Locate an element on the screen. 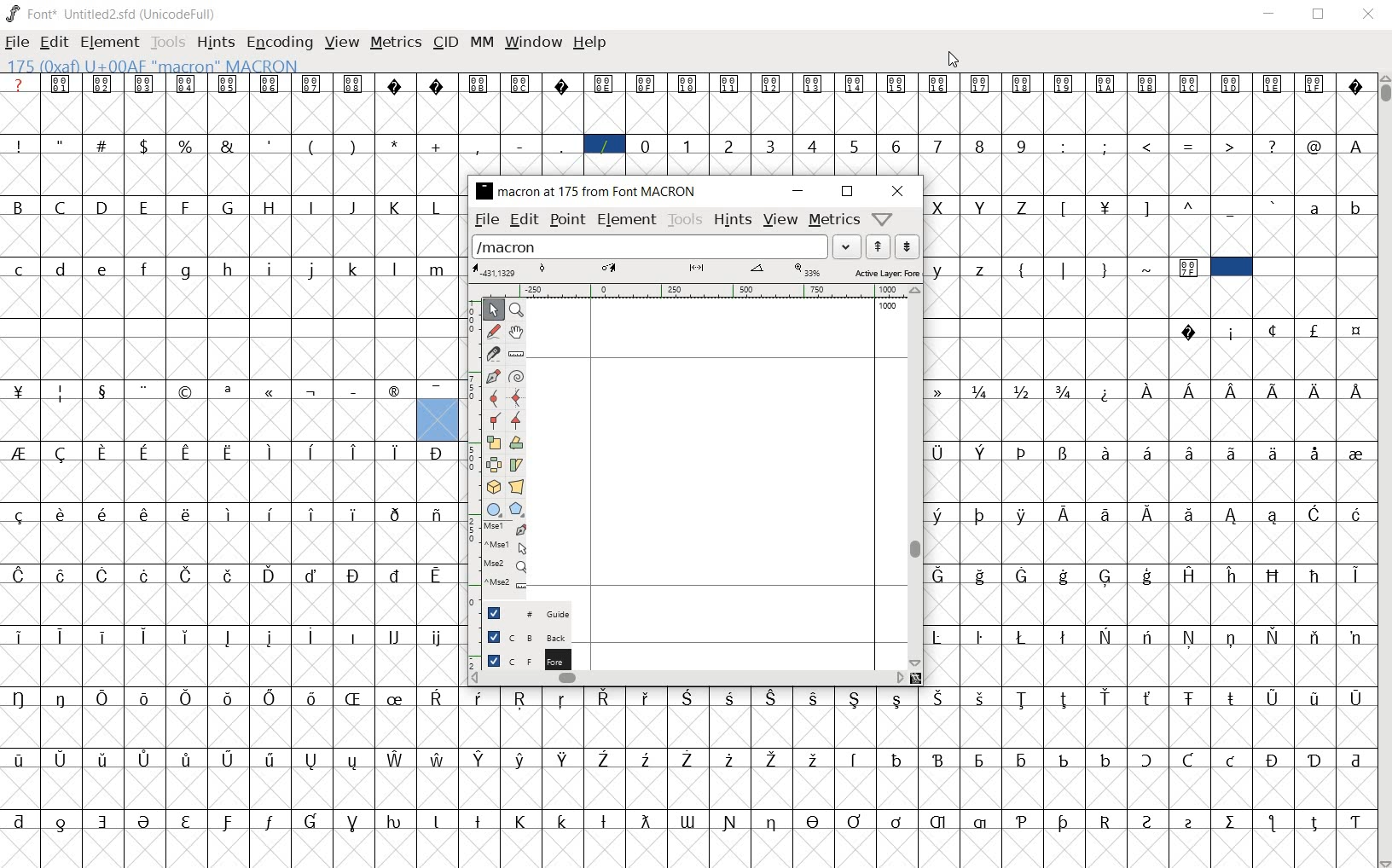 This screenshot has height=868, width=1392. glyph slot is located at coordinates (436, 420).